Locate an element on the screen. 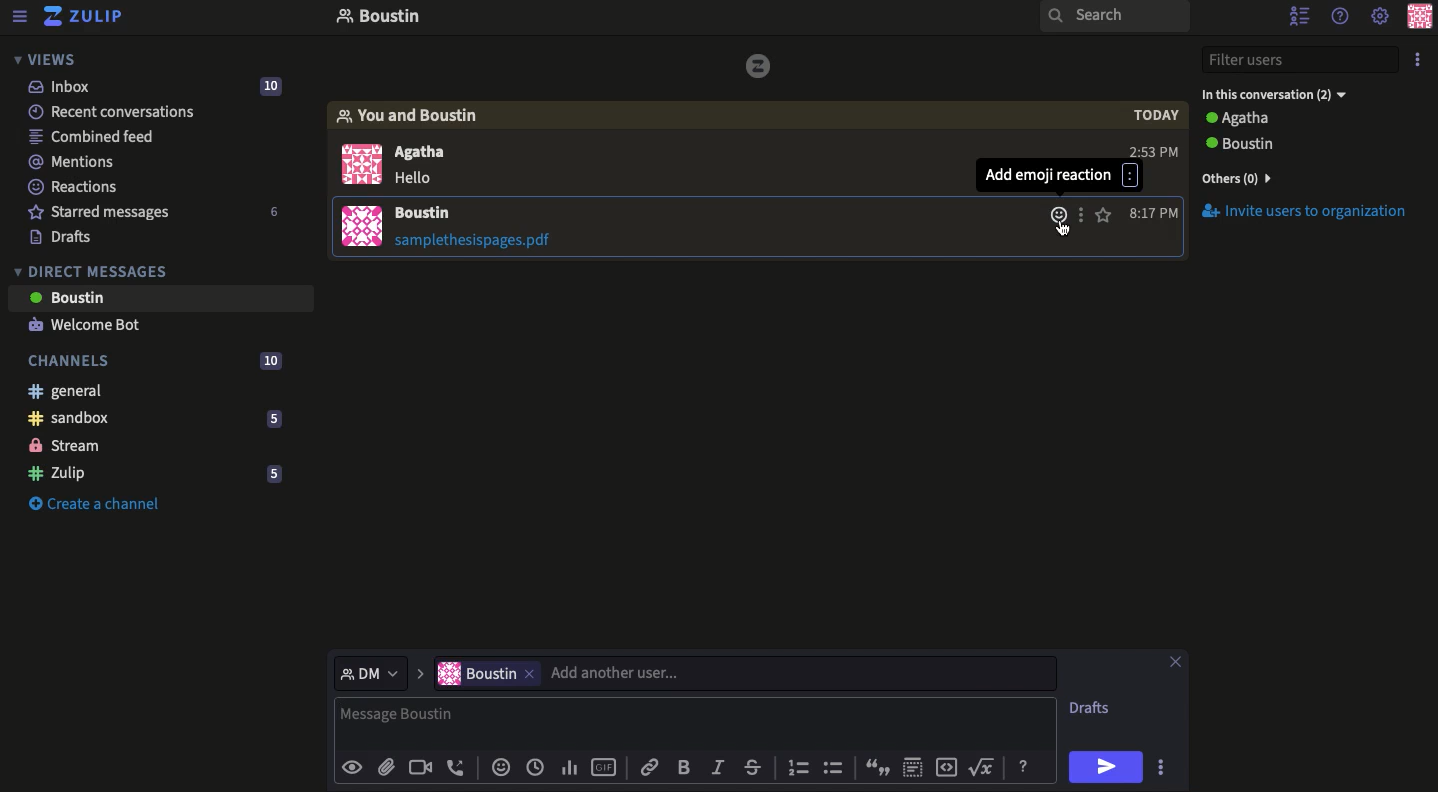 This screenshot has height=792, width=1438. Audio call is located at coordinates (458, 766).